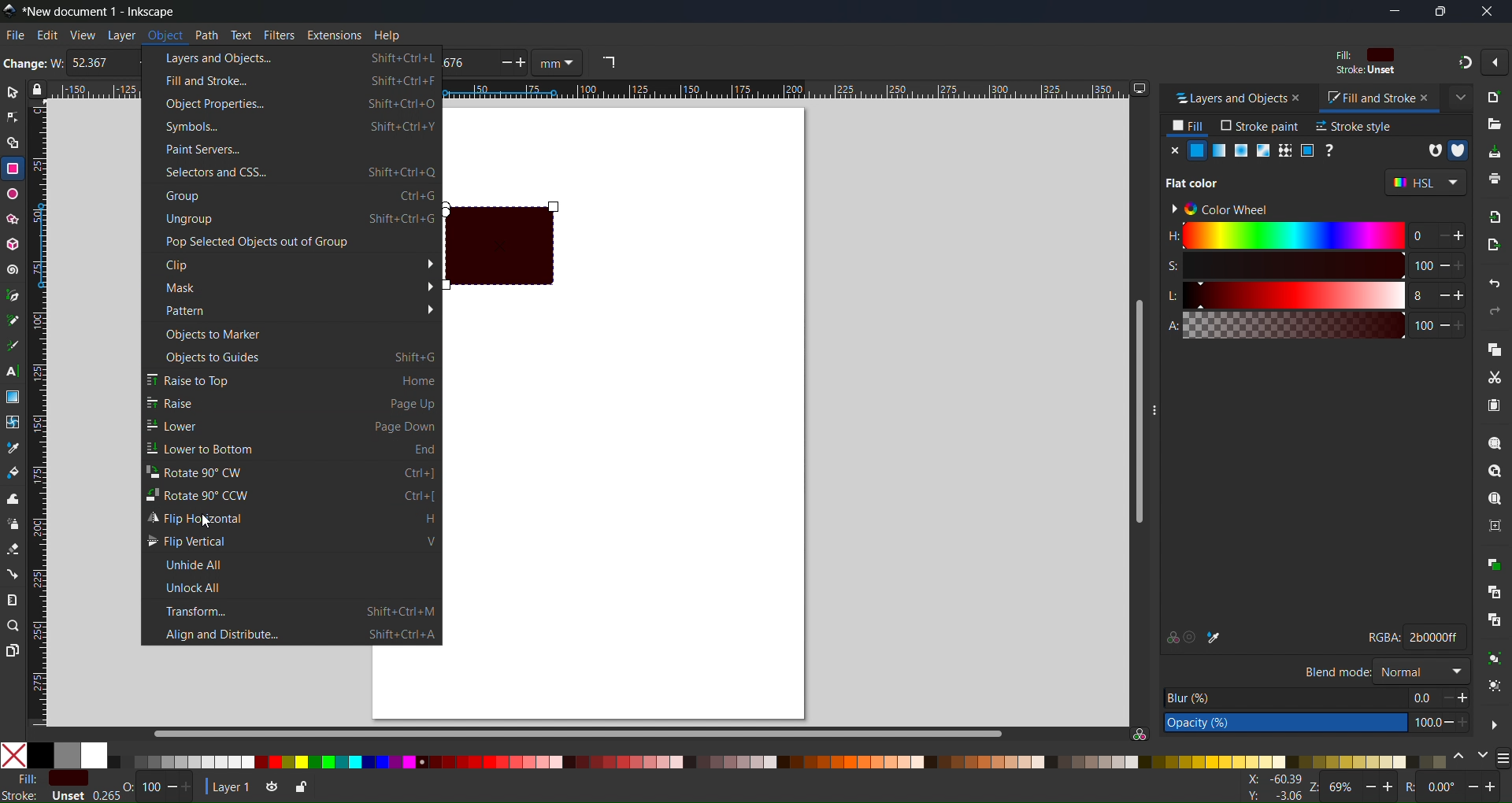 This screenshot has height=803, width=1512. What do you see at coordinates (1494, 472) in the screenshot?
I see `Zoom drawing` at bounding box center [1494, 472].